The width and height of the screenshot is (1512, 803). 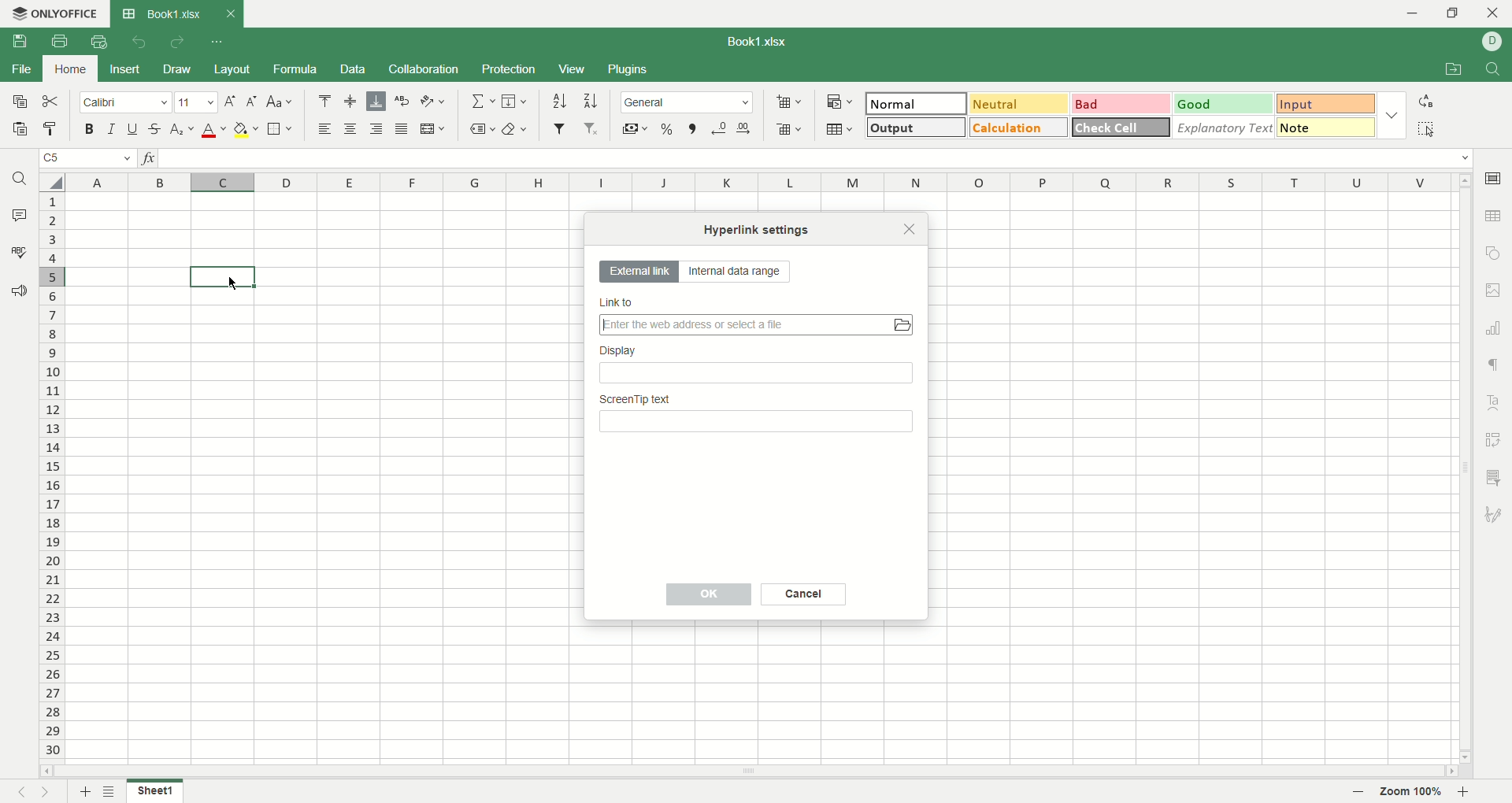 What do you see at coordinates (592, 130) in the screenshot?
I see `remove filter` at bounding box center [592, 130].